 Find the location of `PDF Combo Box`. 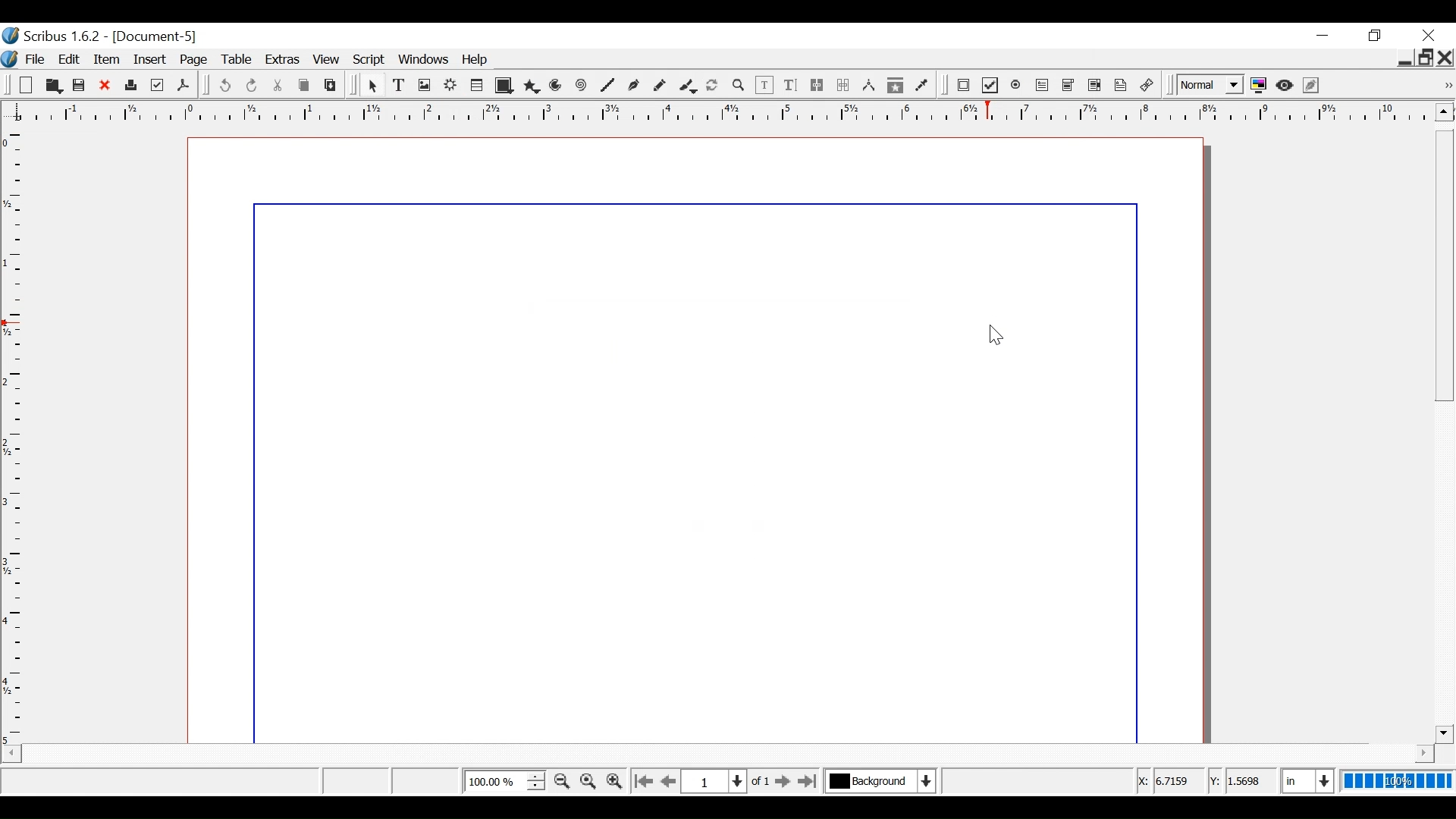

PDF Combo Box is located at coordinates (1068, 86).